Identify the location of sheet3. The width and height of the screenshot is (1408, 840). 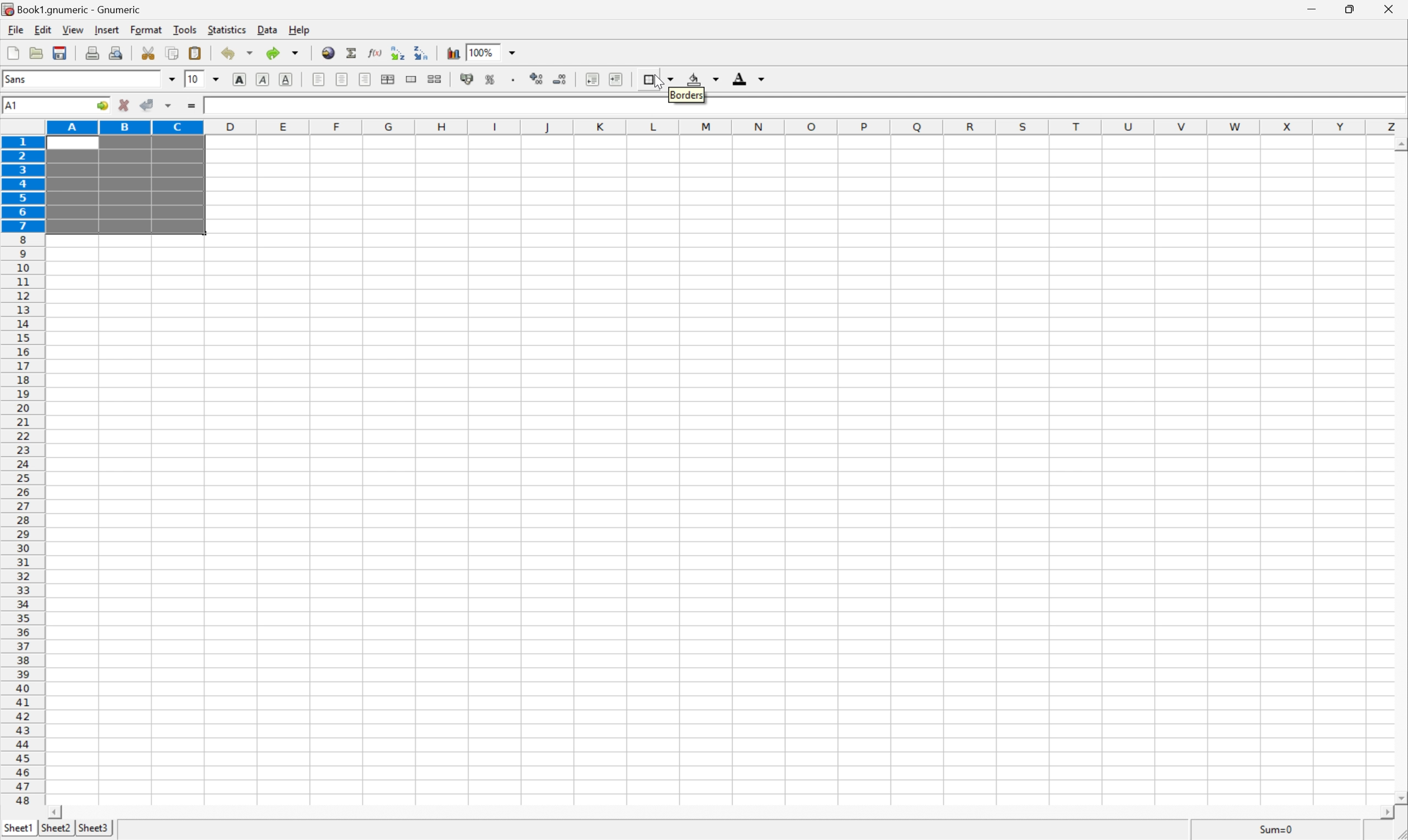
(93, 830).